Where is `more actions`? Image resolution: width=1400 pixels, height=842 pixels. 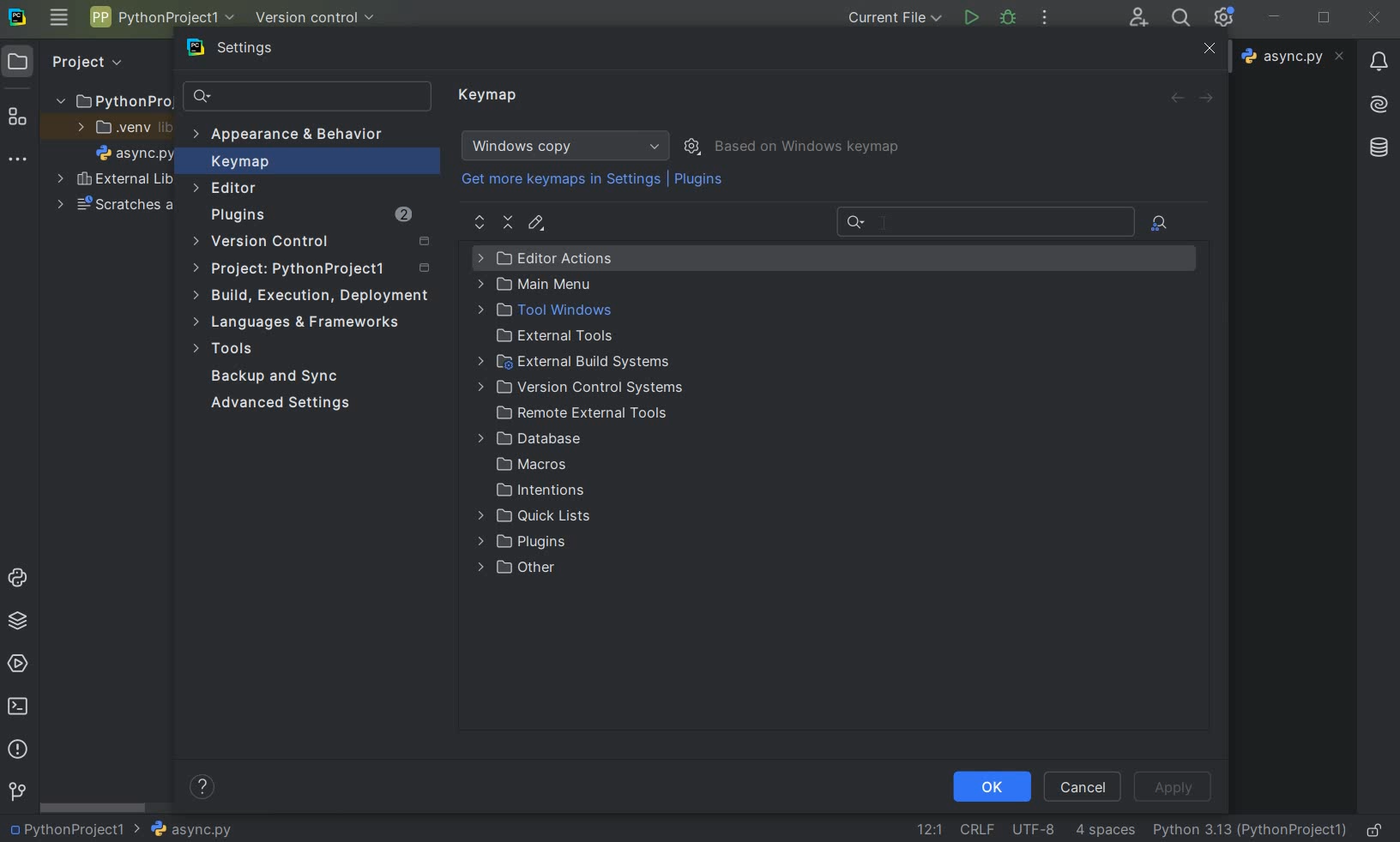 more actions is located at coordinates (1044, 19).